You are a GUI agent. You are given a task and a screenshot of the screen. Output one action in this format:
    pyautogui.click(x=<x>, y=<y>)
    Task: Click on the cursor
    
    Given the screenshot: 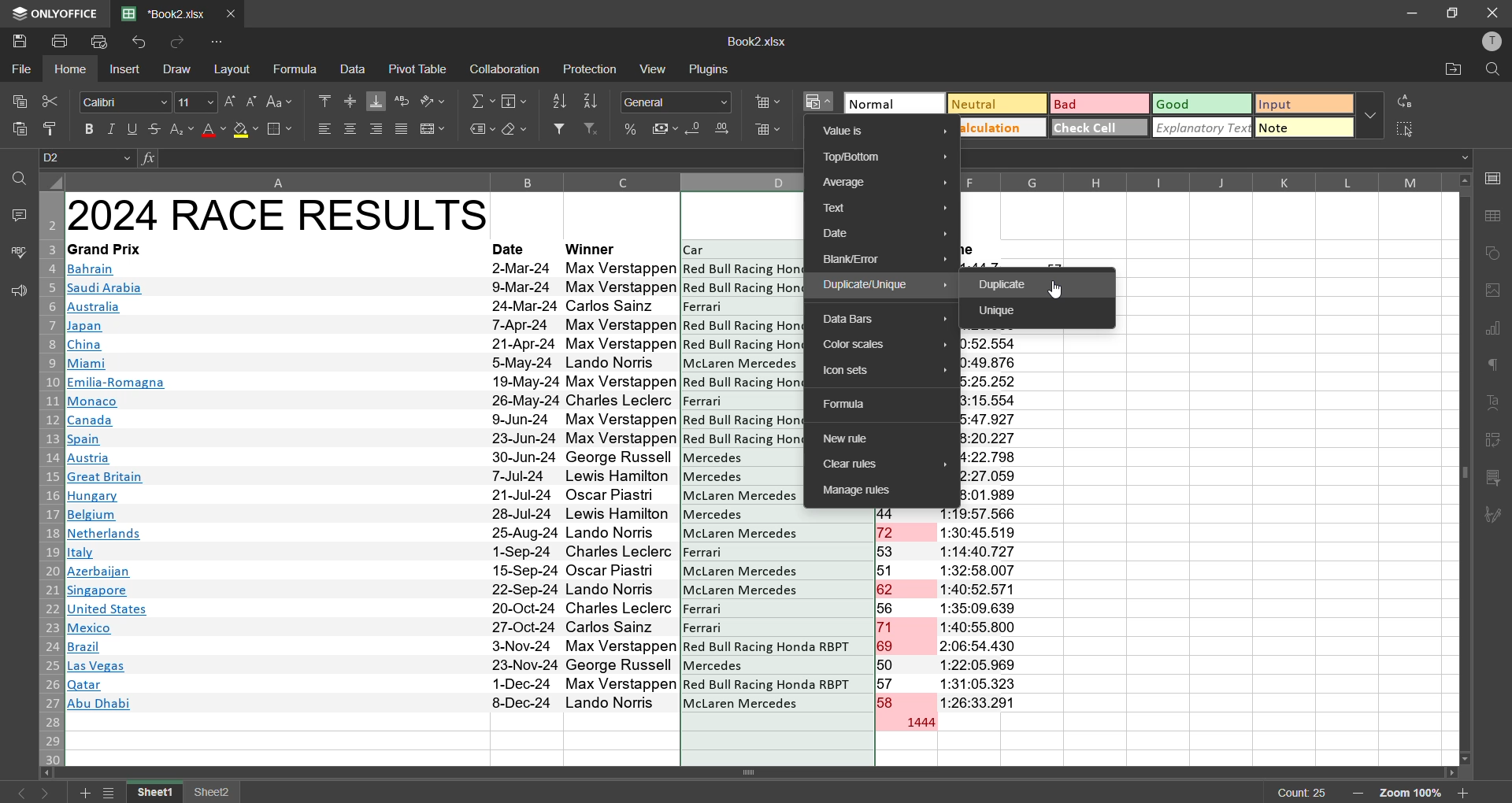 What is the action you would take?
    pyautogui.click(x=1062, y=292)
    